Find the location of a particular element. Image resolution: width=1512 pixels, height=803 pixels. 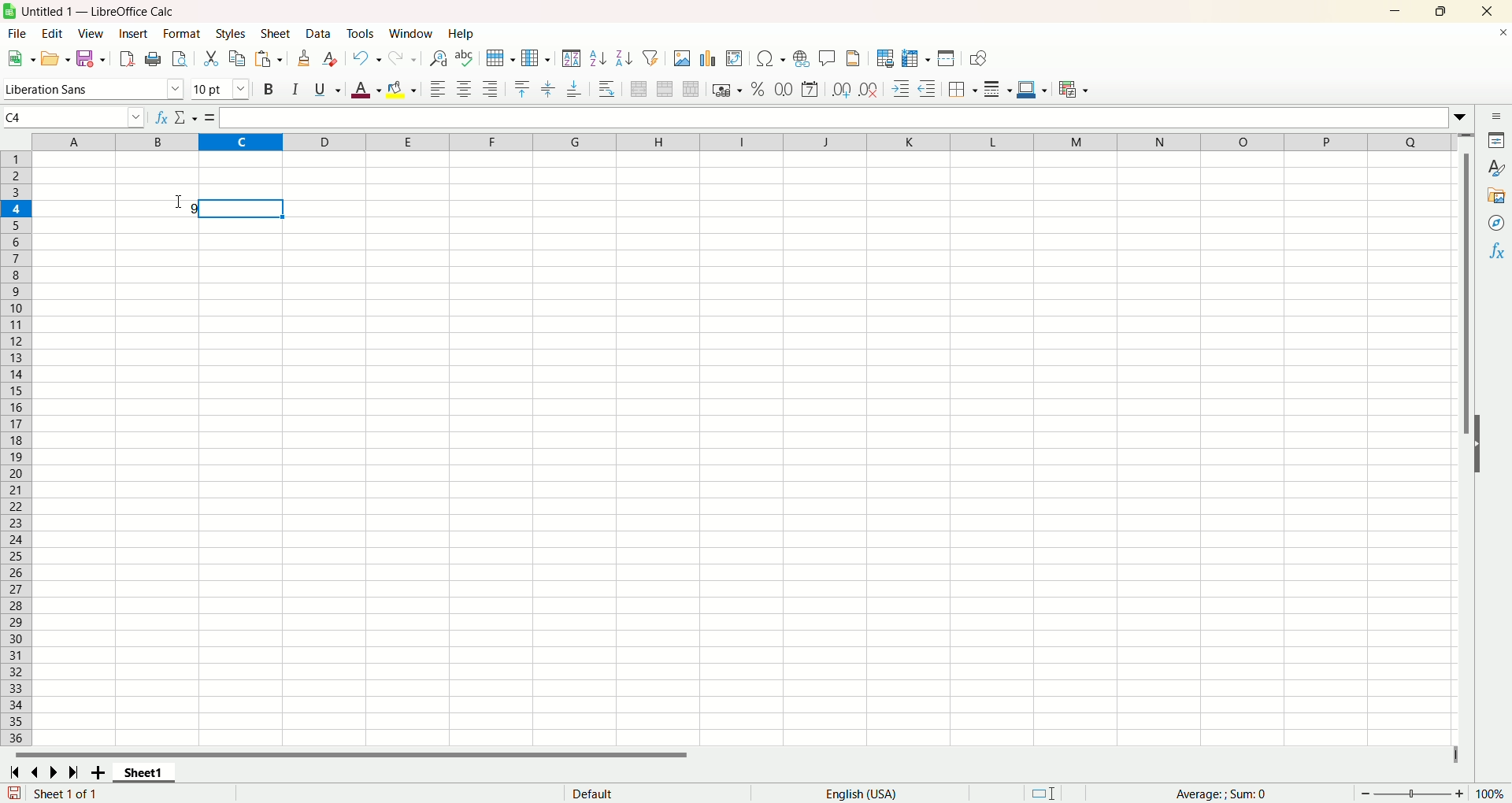

spelling is located at coordinates (464, 59).